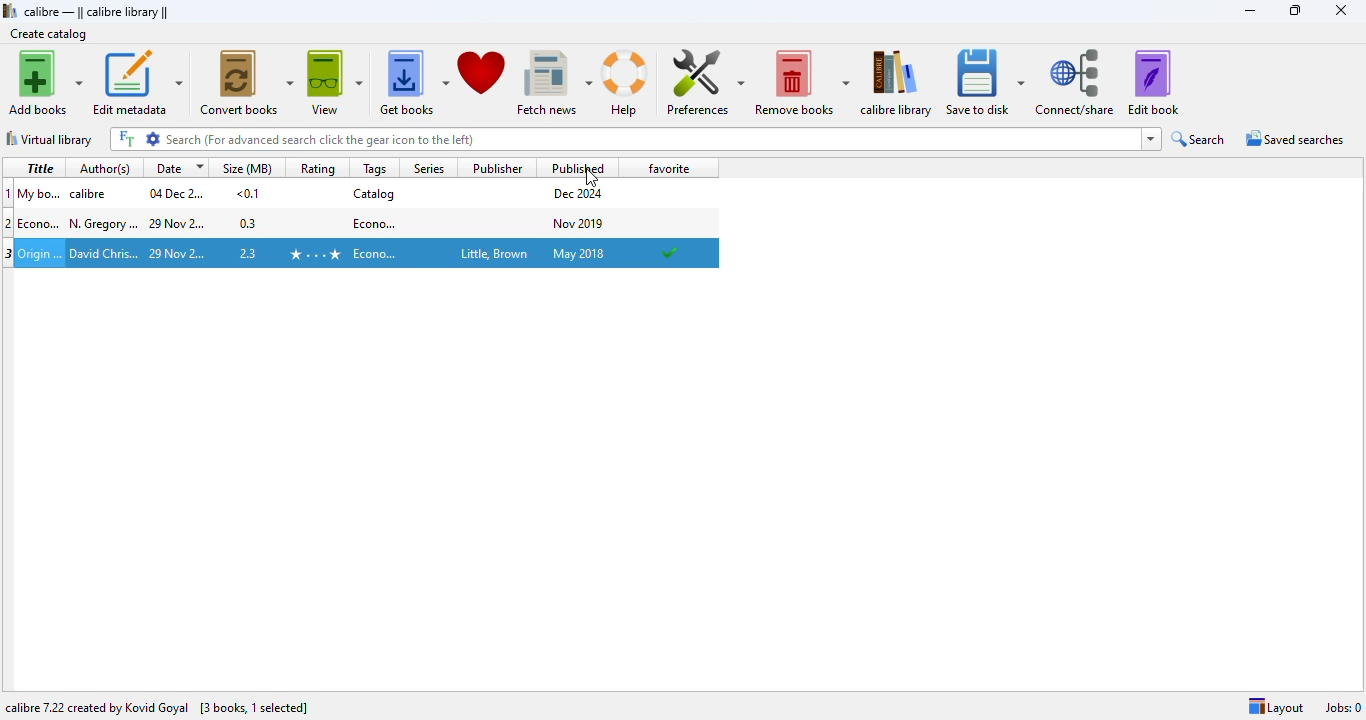 Image resolution: width=1366 pixels, height=720 pixels. Describe the element at coordinates (126, 139) in the screenshot. I see `FT` at that location.